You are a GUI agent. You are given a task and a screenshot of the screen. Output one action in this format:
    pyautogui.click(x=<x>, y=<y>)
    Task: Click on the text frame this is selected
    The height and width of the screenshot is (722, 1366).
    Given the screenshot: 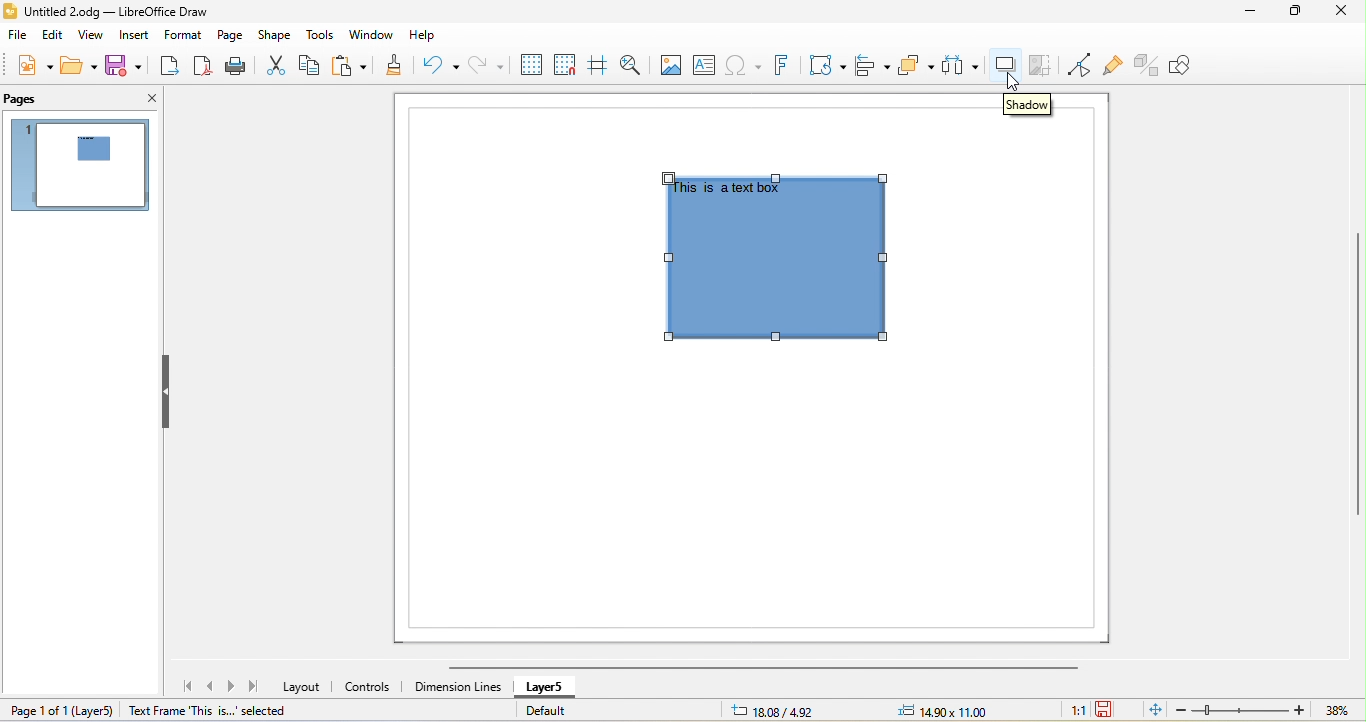 What is the action you would take?
    pyautogui.click(x=205, y=711)
    